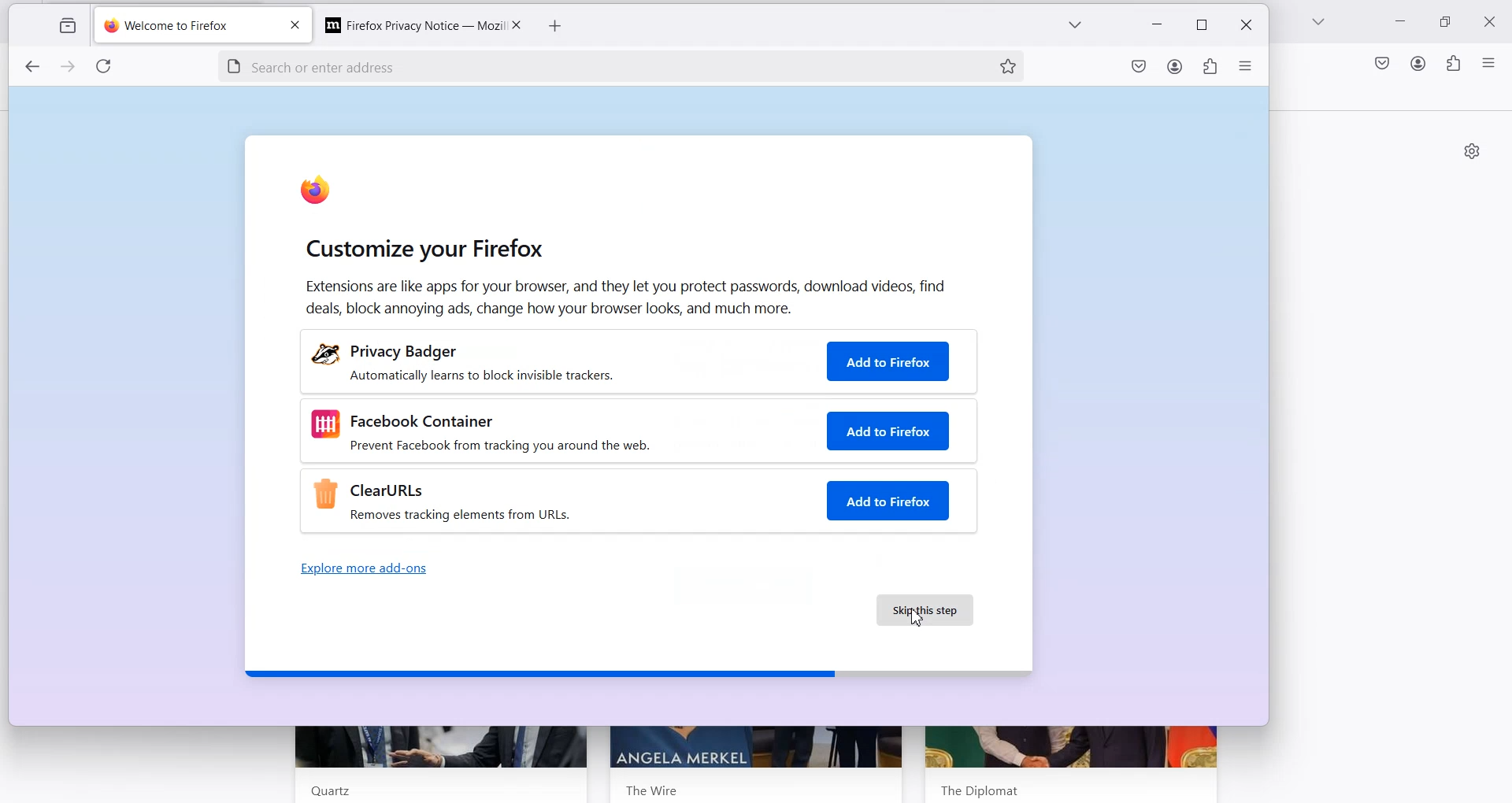  Describe the element at coordinates (324, 790) in the screenshot. I see `Quartz` at that location.